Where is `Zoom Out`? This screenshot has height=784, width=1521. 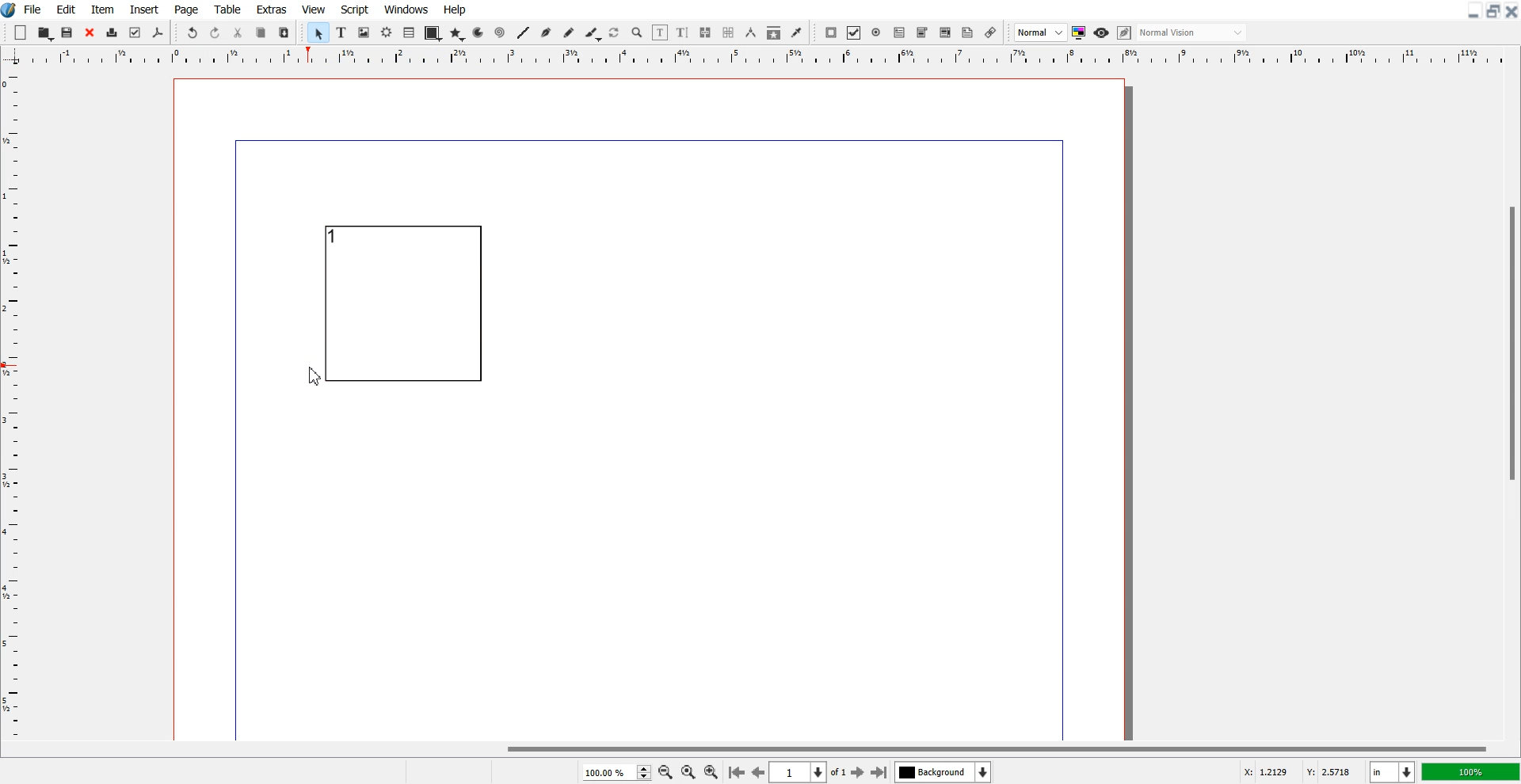 Zoom Out is located at coordinates (666, 773).